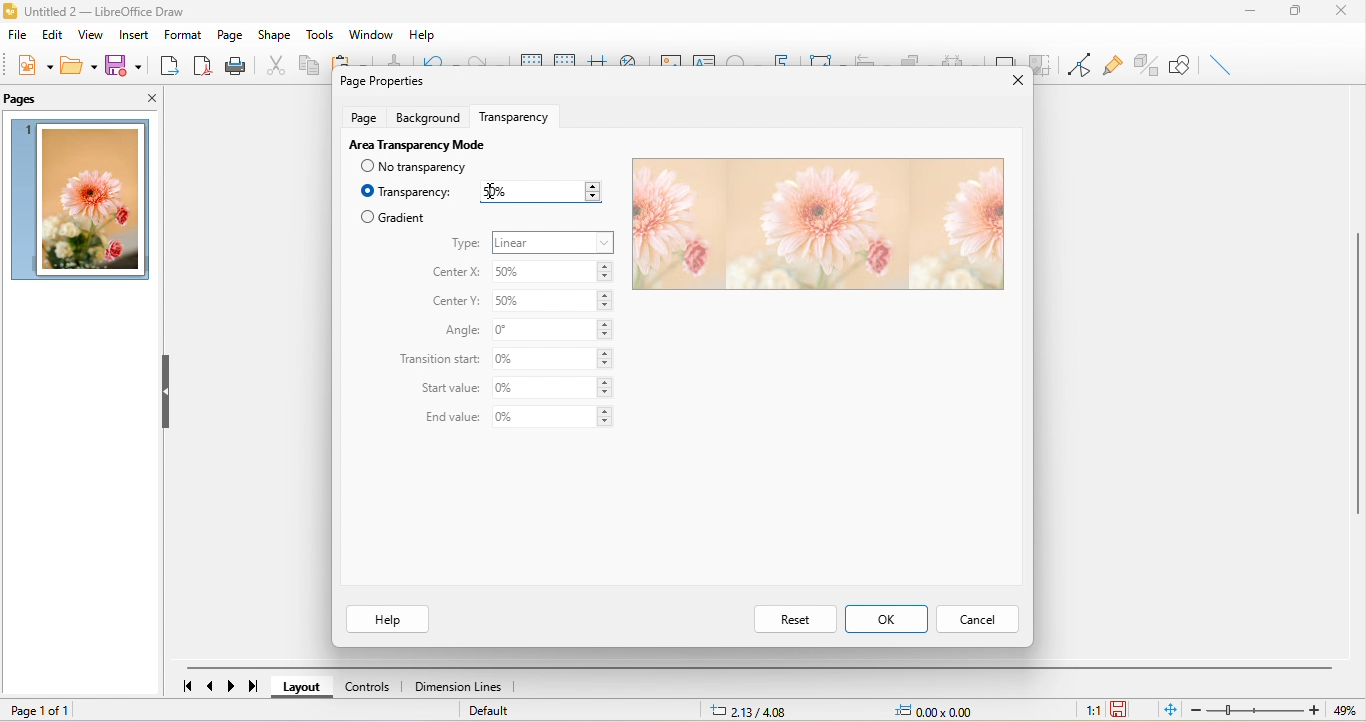 The image size is (1366, 722). I want to click on center y, so click(458, 302).